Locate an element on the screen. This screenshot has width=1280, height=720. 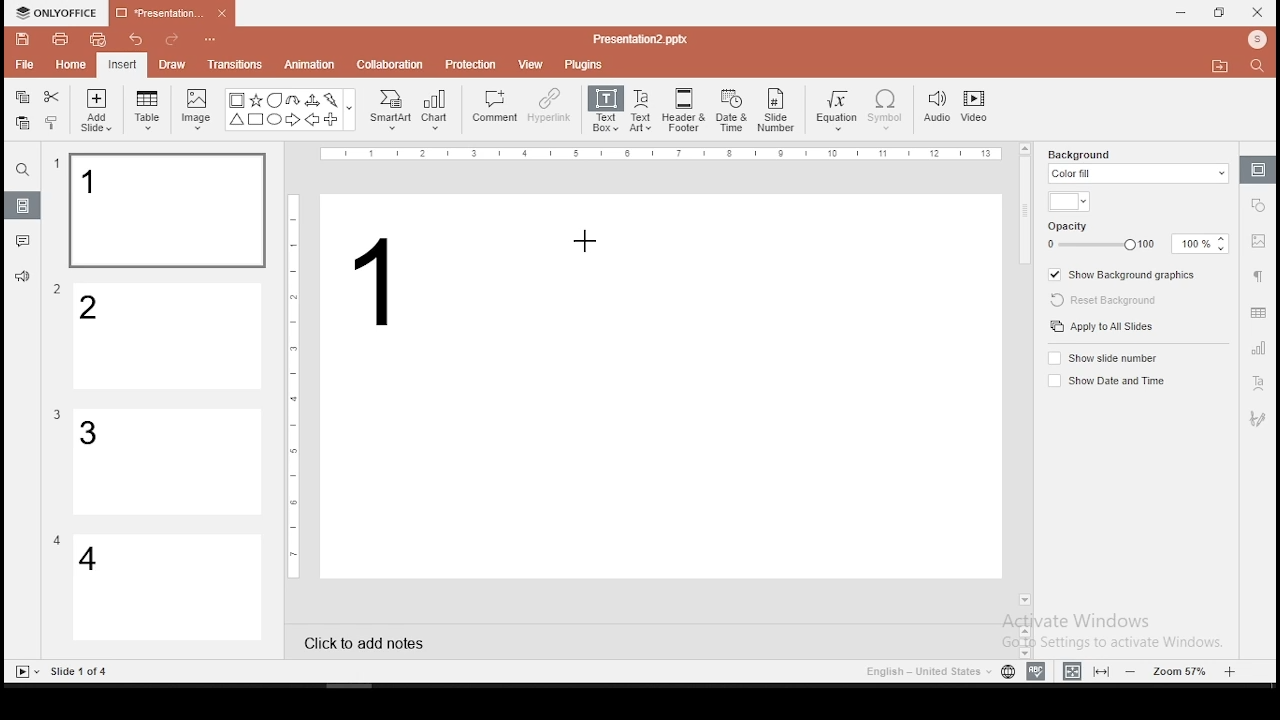
animation is located at coordinates (308, 66).